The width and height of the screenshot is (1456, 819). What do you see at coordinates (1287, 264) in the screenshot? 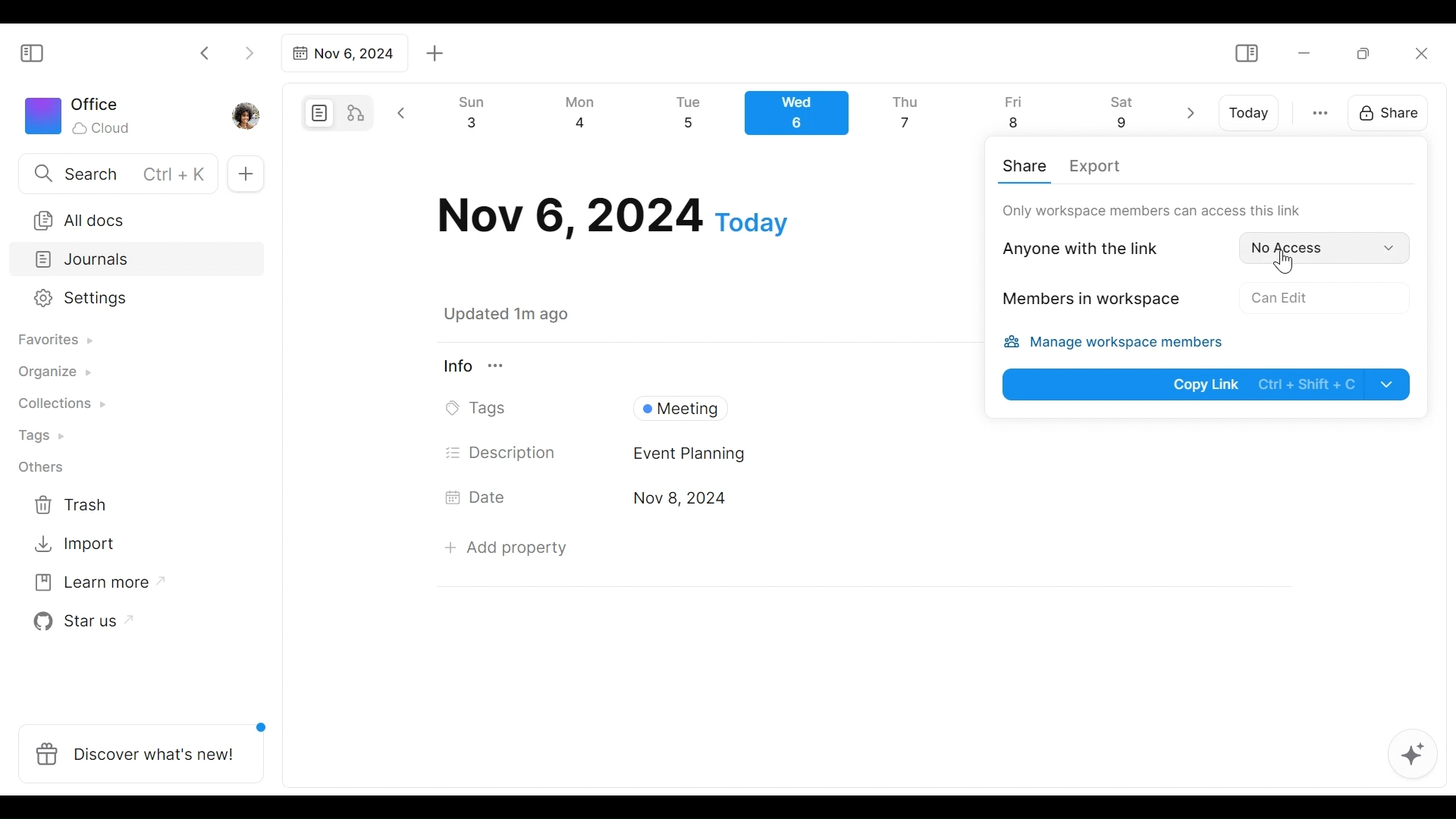
I see `cursor` at bounding box center [1287, 264].